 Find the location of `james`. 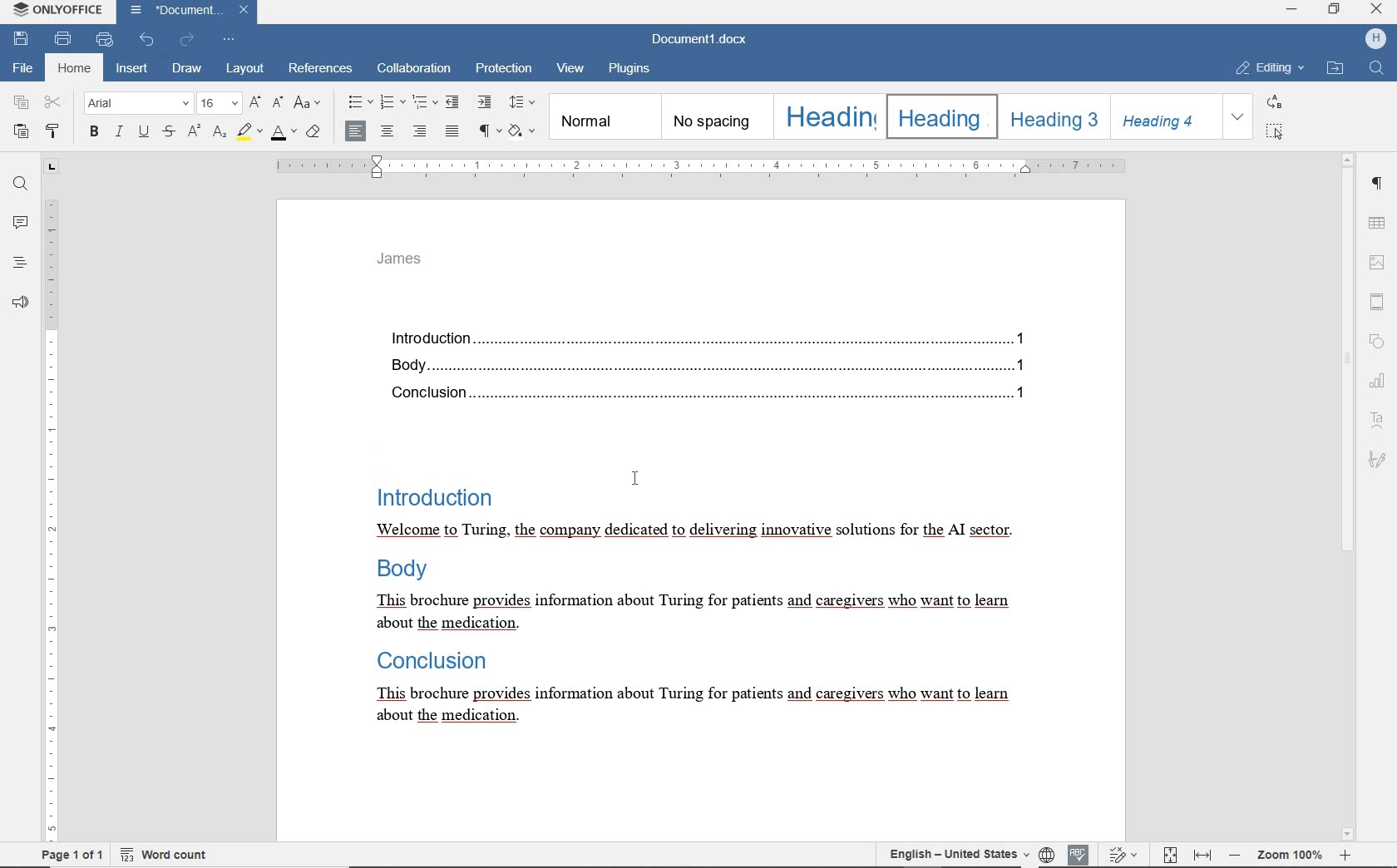

james is located at coordinates (400, 259).